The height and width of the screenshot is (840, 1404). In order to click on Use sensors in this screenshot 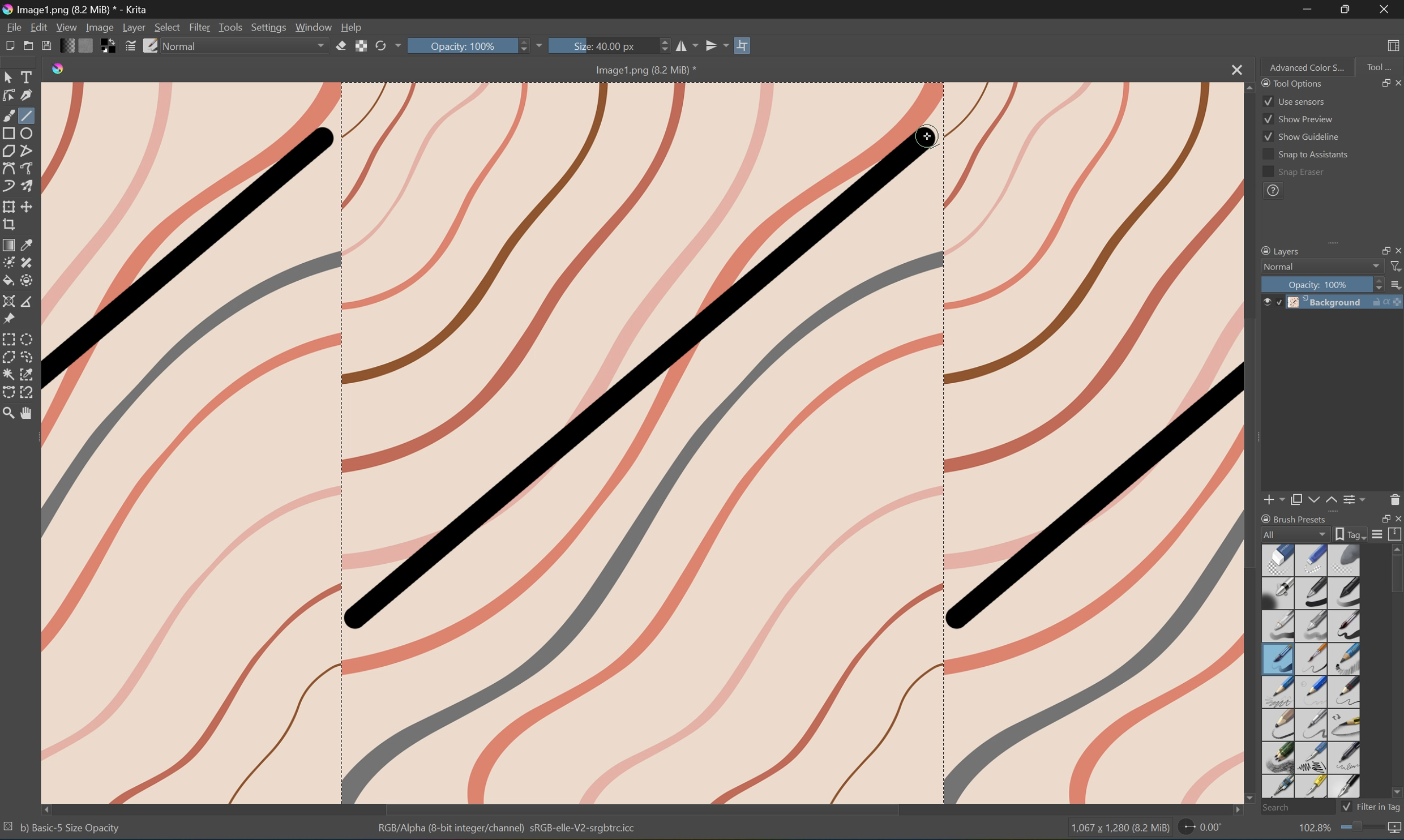, I will do `click(1294, 101)`.